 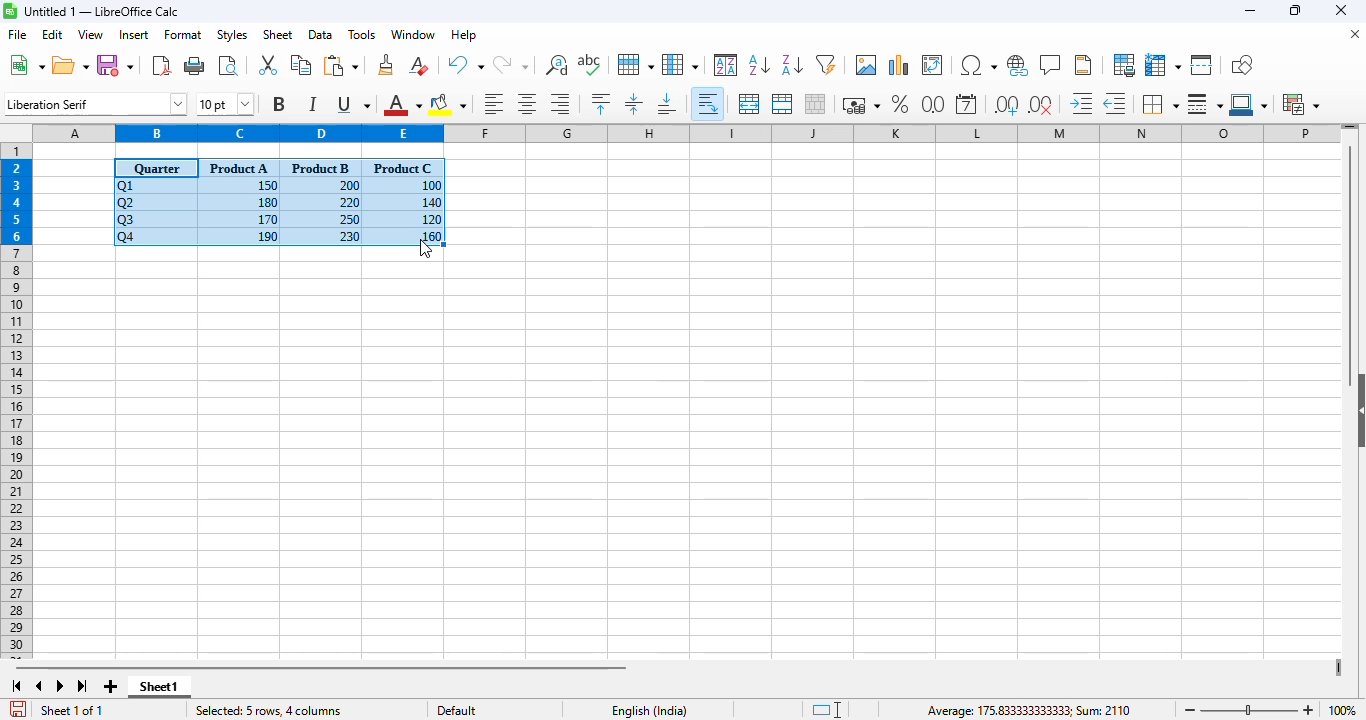 What do you see at coordinates (90, 34) in the screenshot?
I see `view` at bounding box center [90, 34].